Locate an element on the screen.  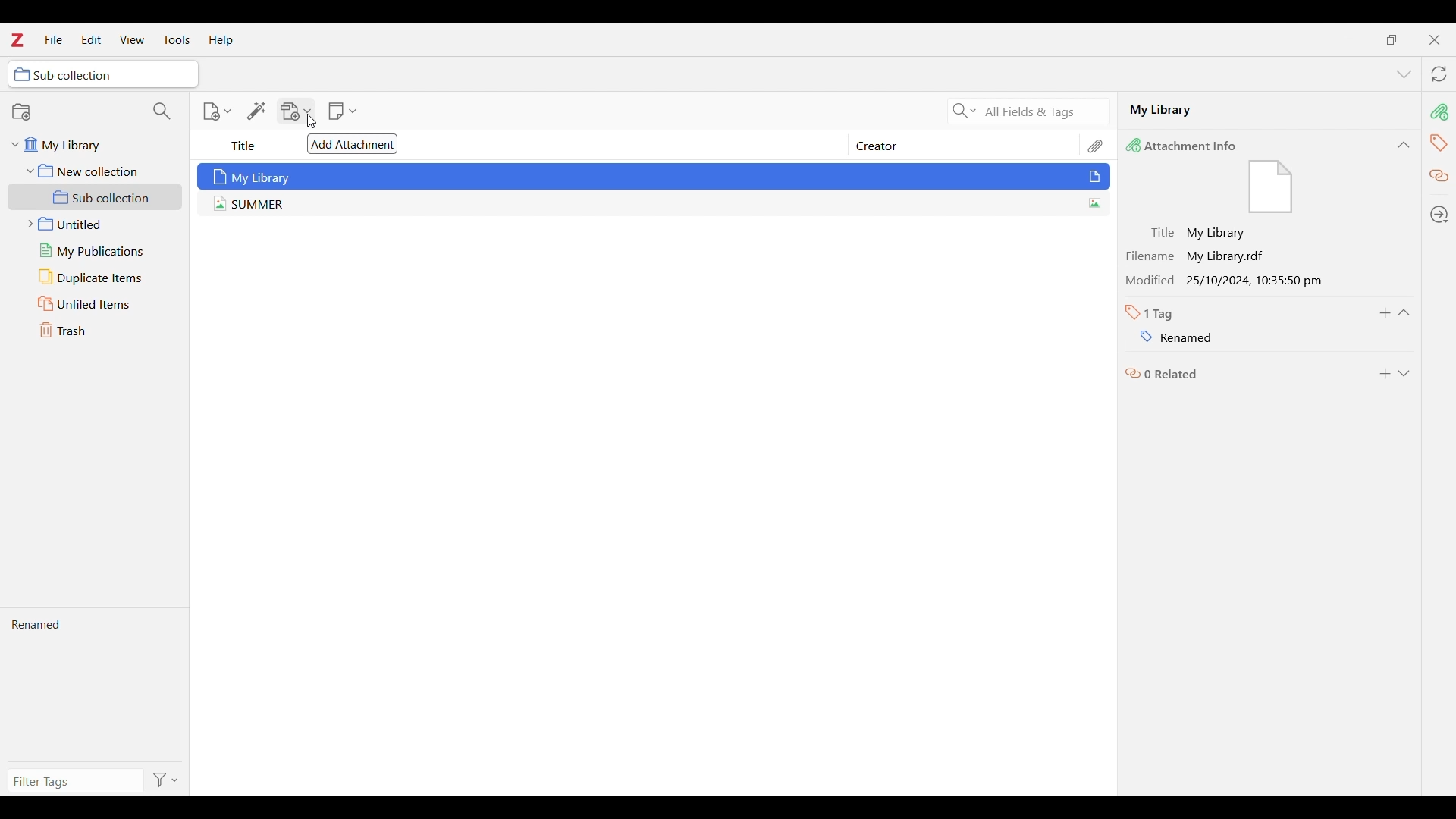
Software logo is located at coordinates (17, 39).